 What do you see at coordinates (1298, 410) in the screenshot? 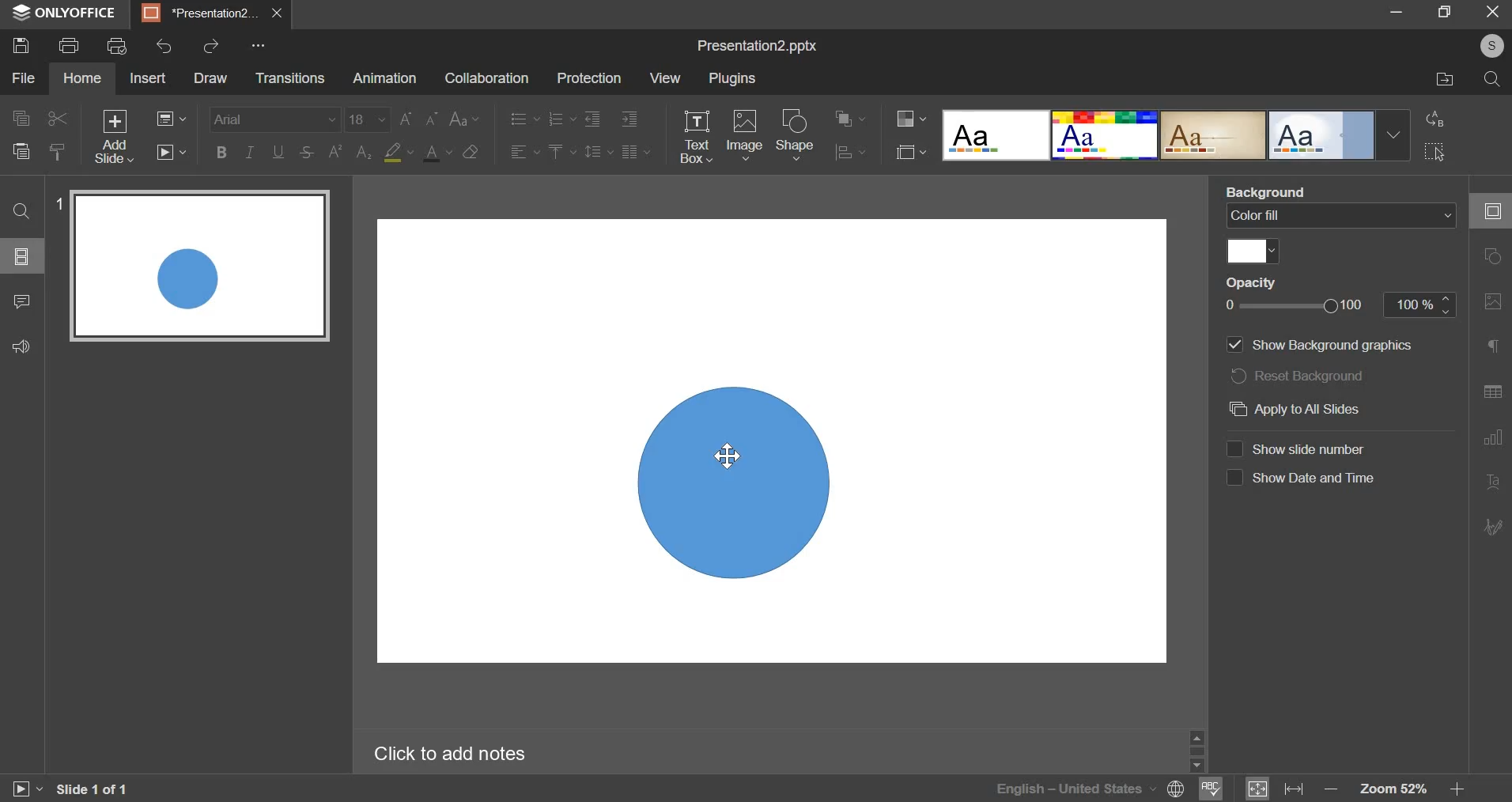
I see `apply to all slides` at bounding box center [1298, 410].